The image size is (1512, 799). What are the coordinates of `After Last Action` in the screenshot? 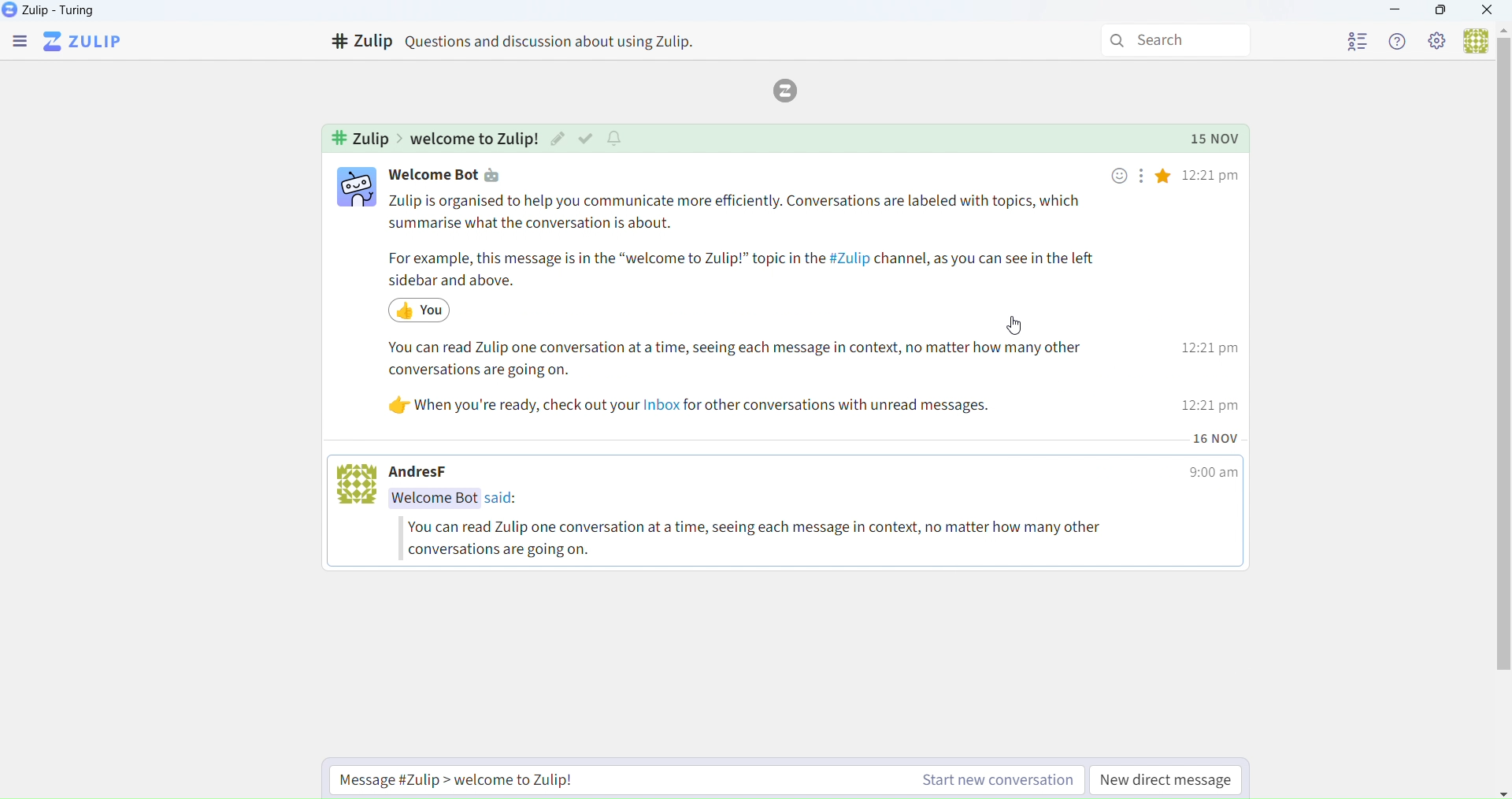 It's located at (432, 310).